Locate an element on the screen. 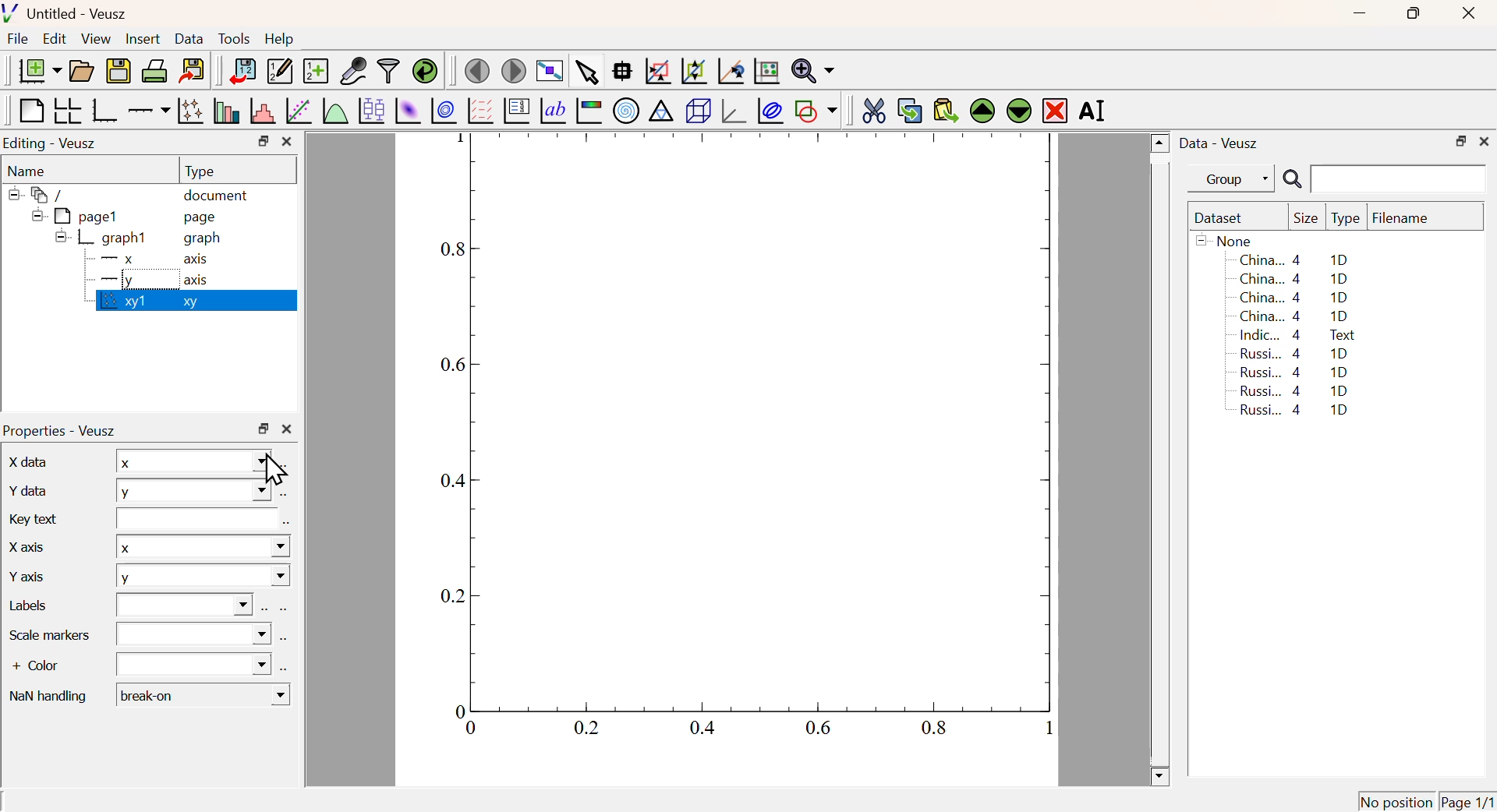  Blank Page is located at coordinates (30, 111).